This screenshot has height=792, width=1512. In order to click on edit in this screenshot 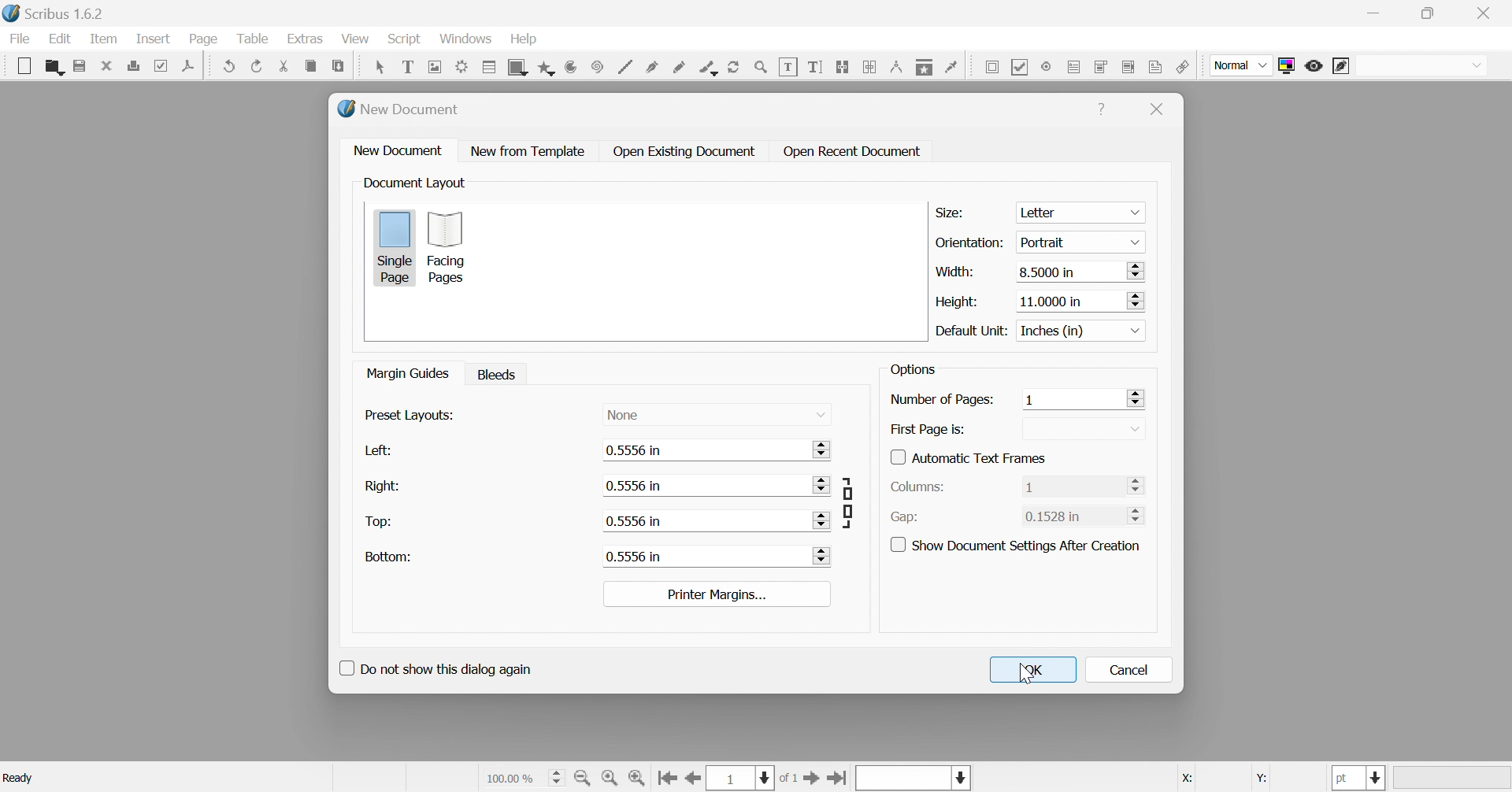, I will do `click(60, 39)`.